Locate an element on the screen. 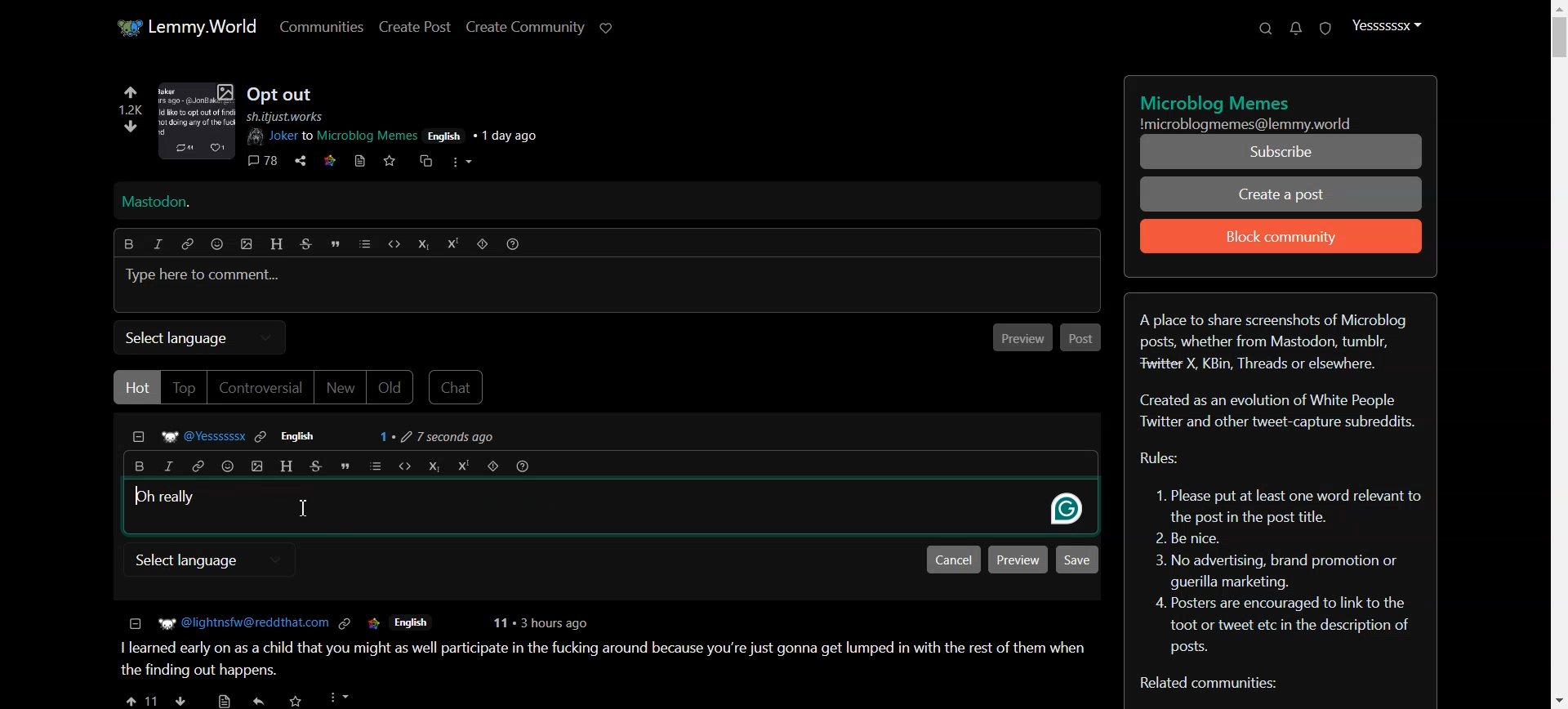 The image size is (1568, 709). downvote is located at coordinates (132, 125).